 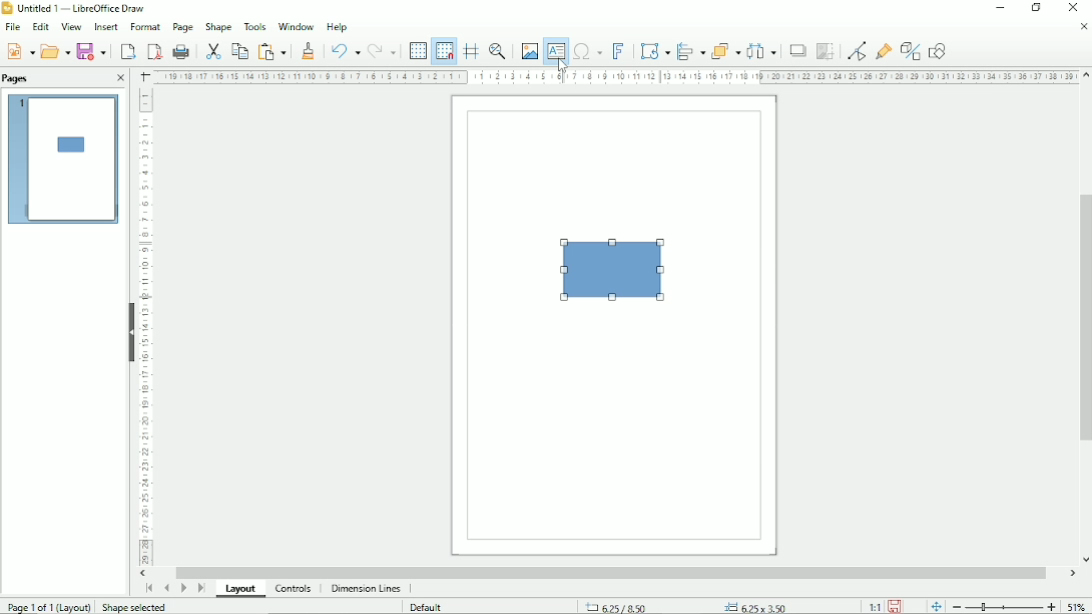 What do you see at coordinates (725, 49) in the screenshot?
I see `Arrange` at bounding box center [725, 49].